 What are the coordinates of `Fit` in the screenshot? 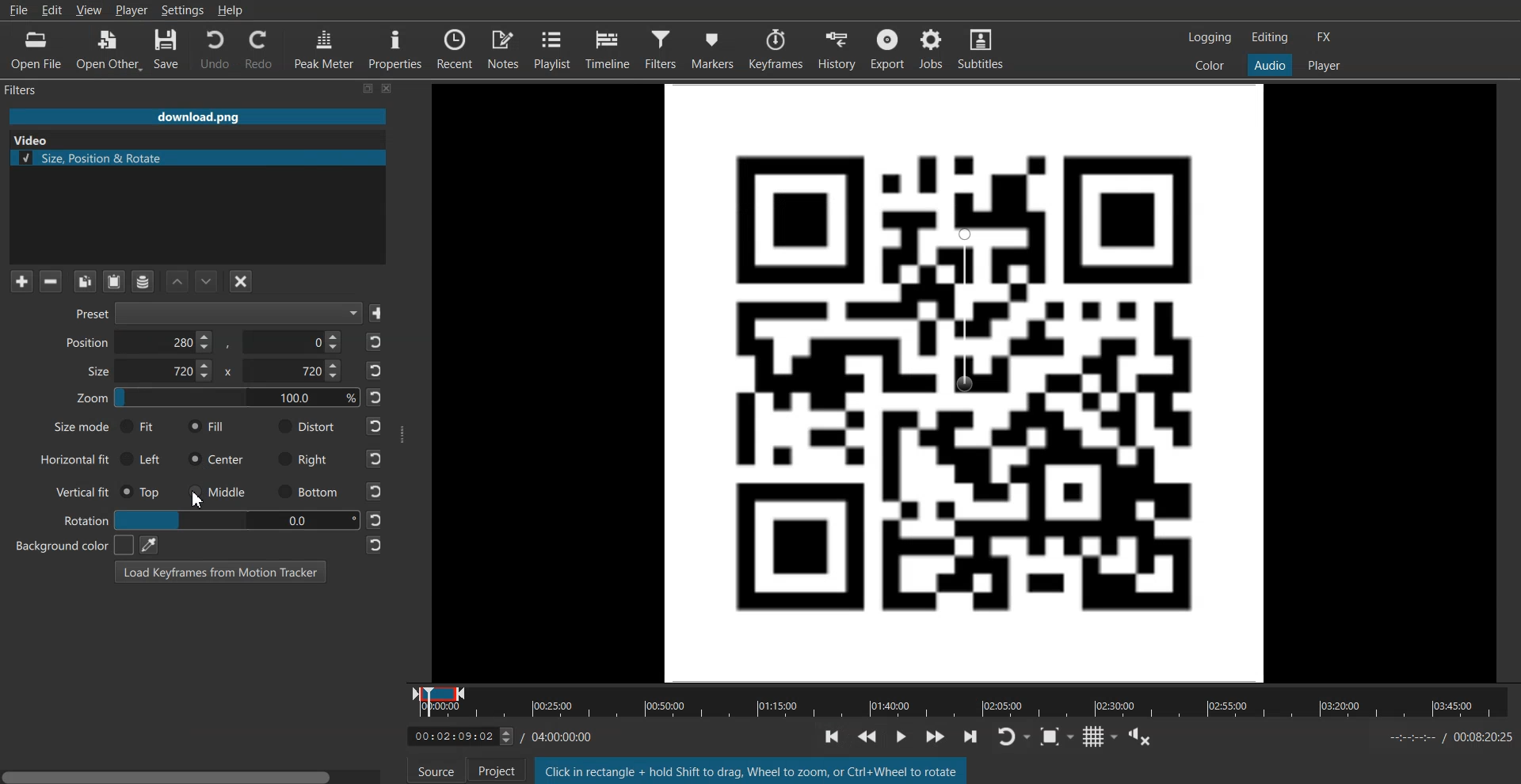 It's located at (139, 426).